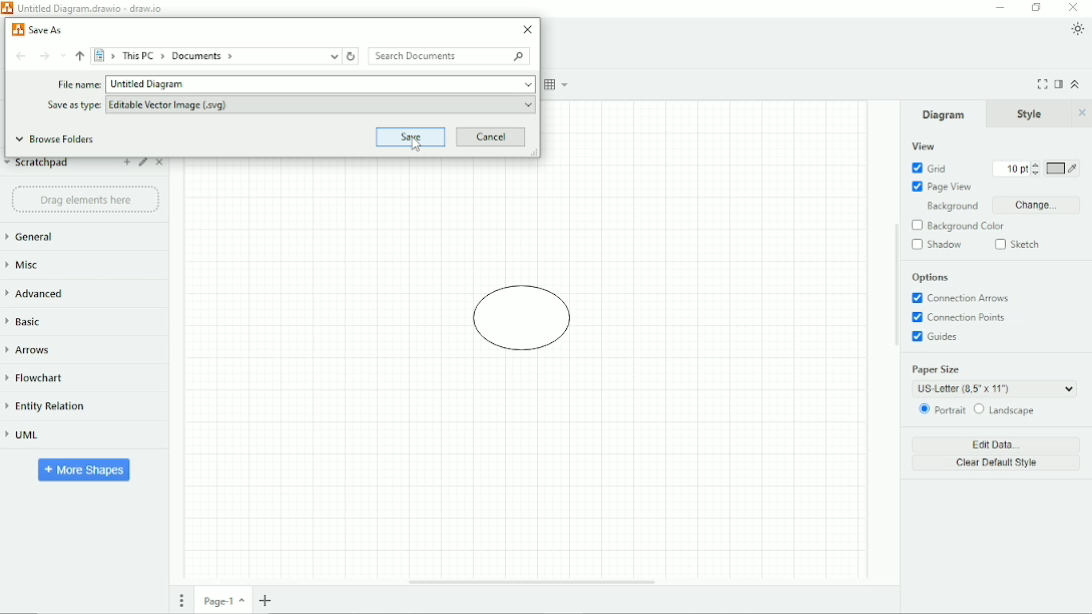 This screenshot has height=614, width=1092. Describe the element at coordinates (143, 163) in the screenshot. I see `Edit` at that location.